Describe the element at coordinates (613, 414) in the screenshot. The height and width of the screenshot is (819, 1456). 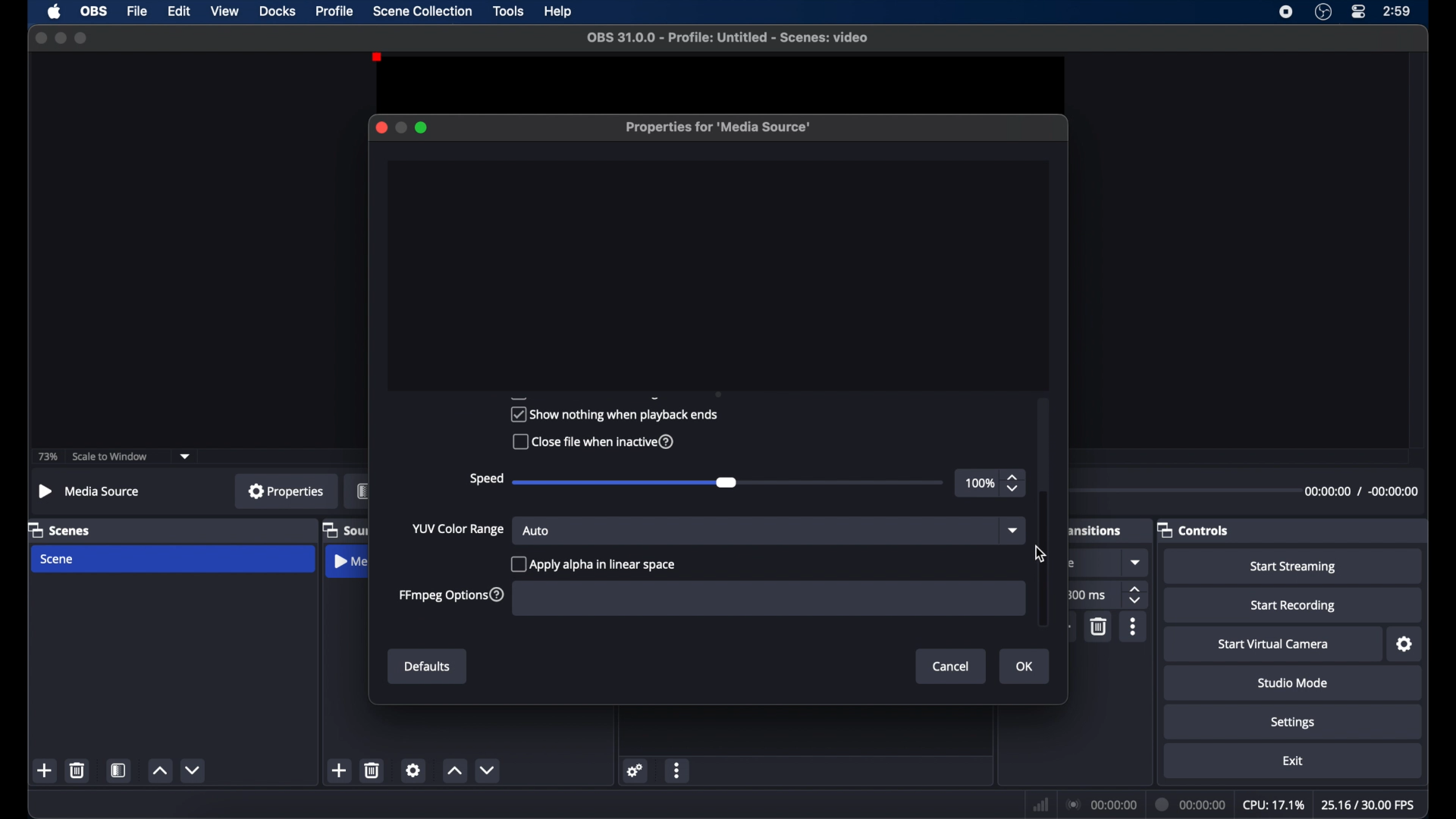
I see `show nothing when playback ends` at that location.